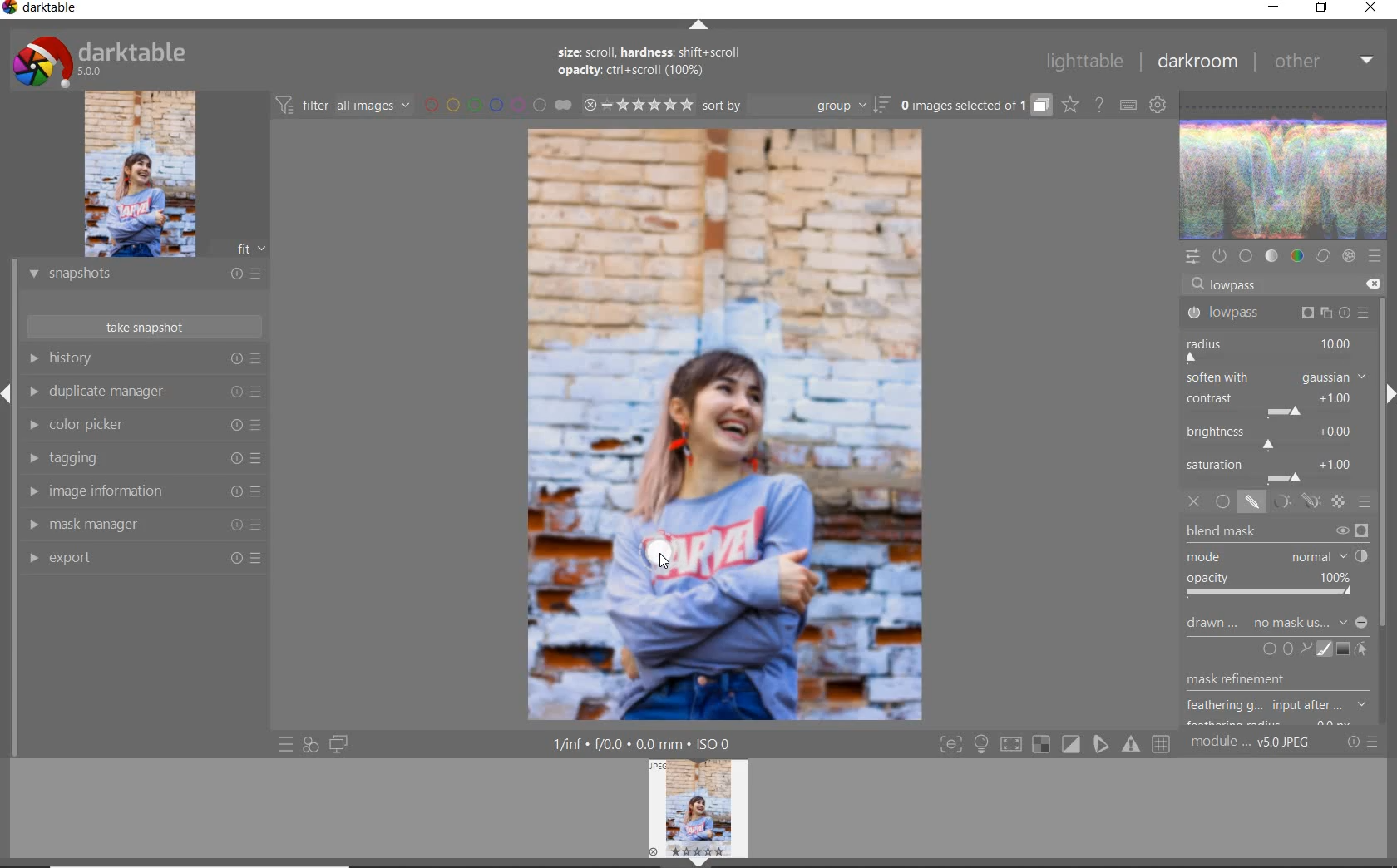 The width and height of the screenshot is (1397, 868). What do you see at coordinates (1310, 624) in the screenshot?
I see `no mask` at bounding box center [1310, 624].